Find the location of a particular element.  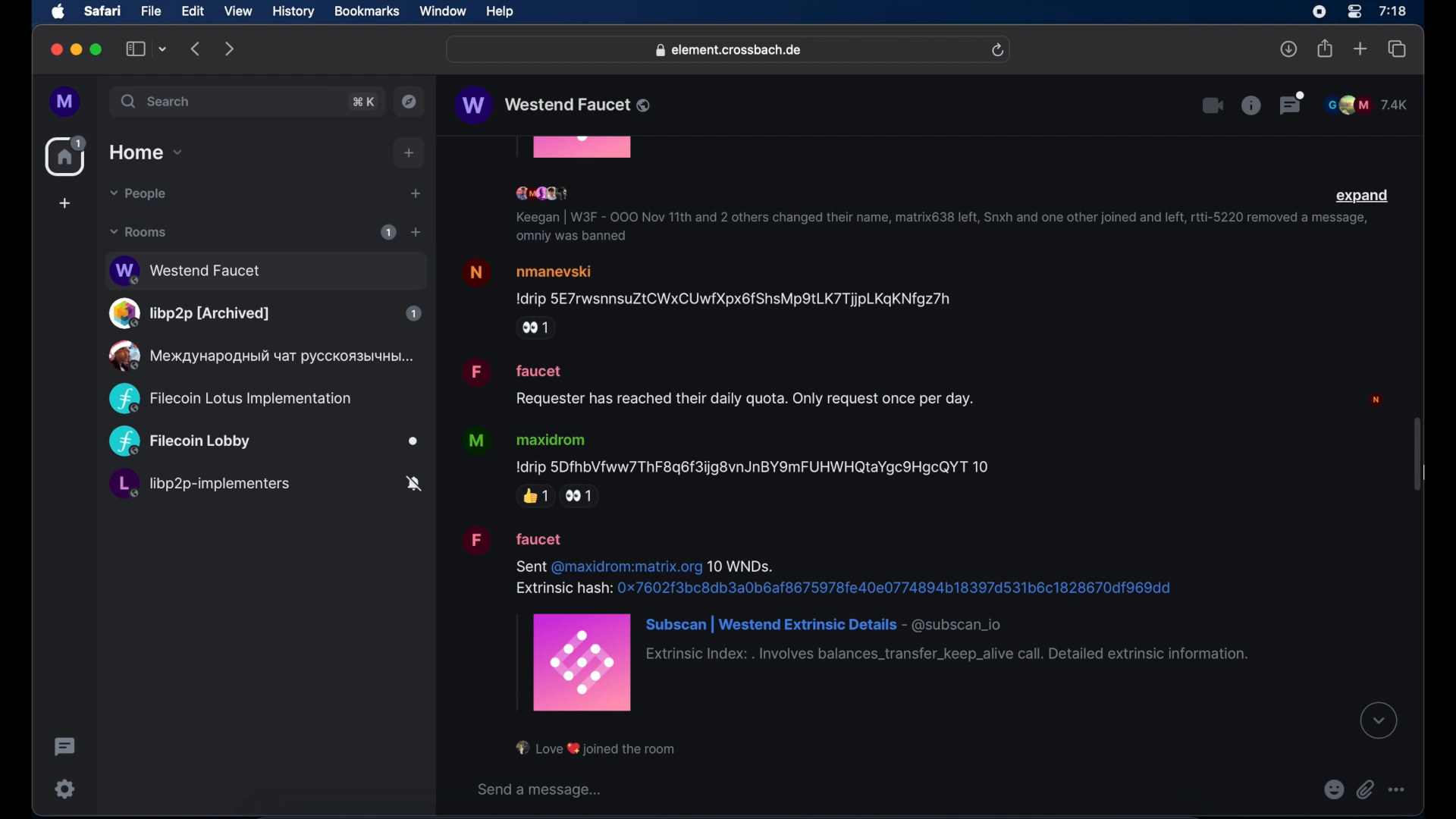

search is located at coordinates (157, 101).